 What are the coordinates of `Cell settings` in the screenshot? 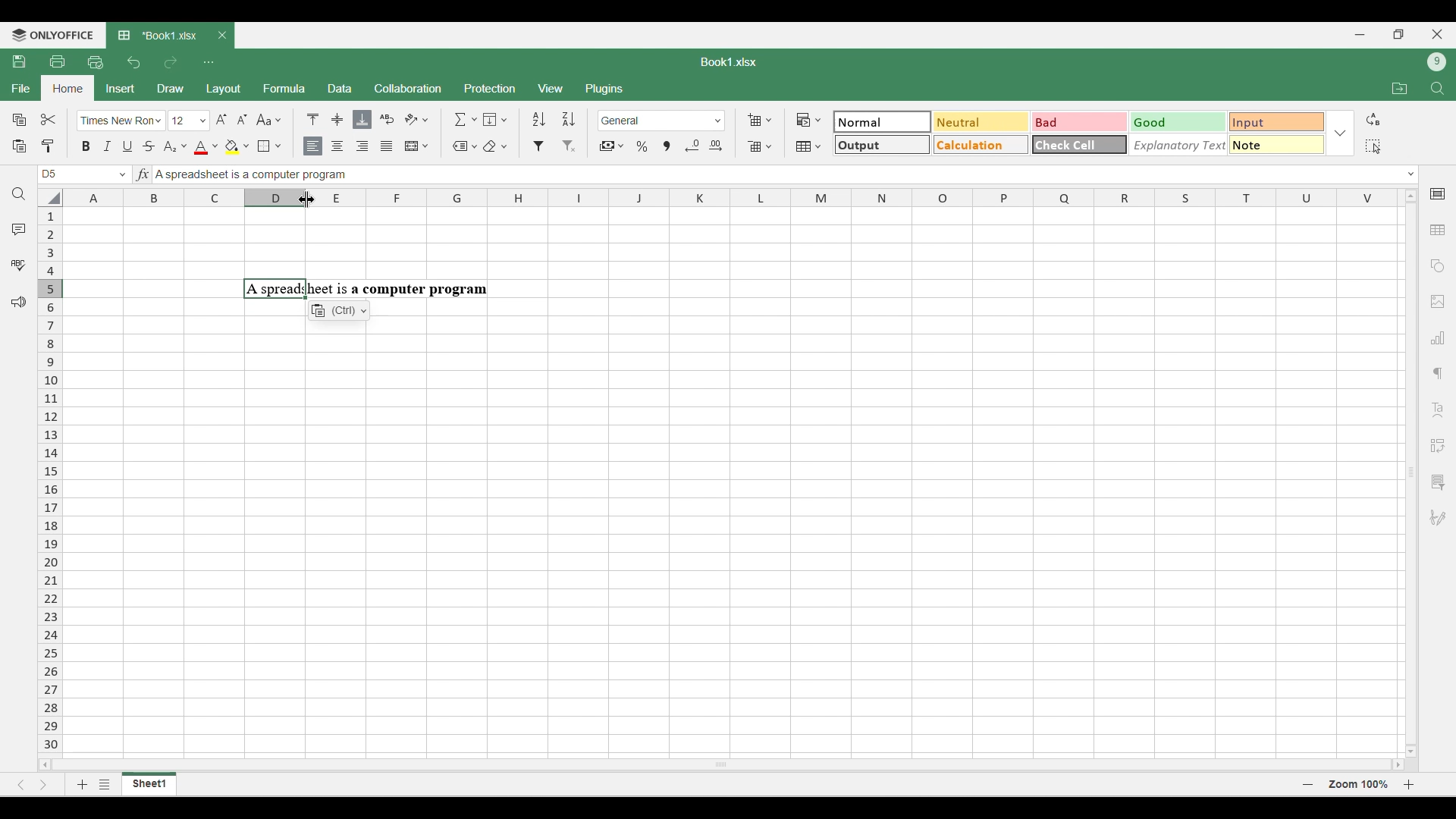 It's located at (1439, 194).